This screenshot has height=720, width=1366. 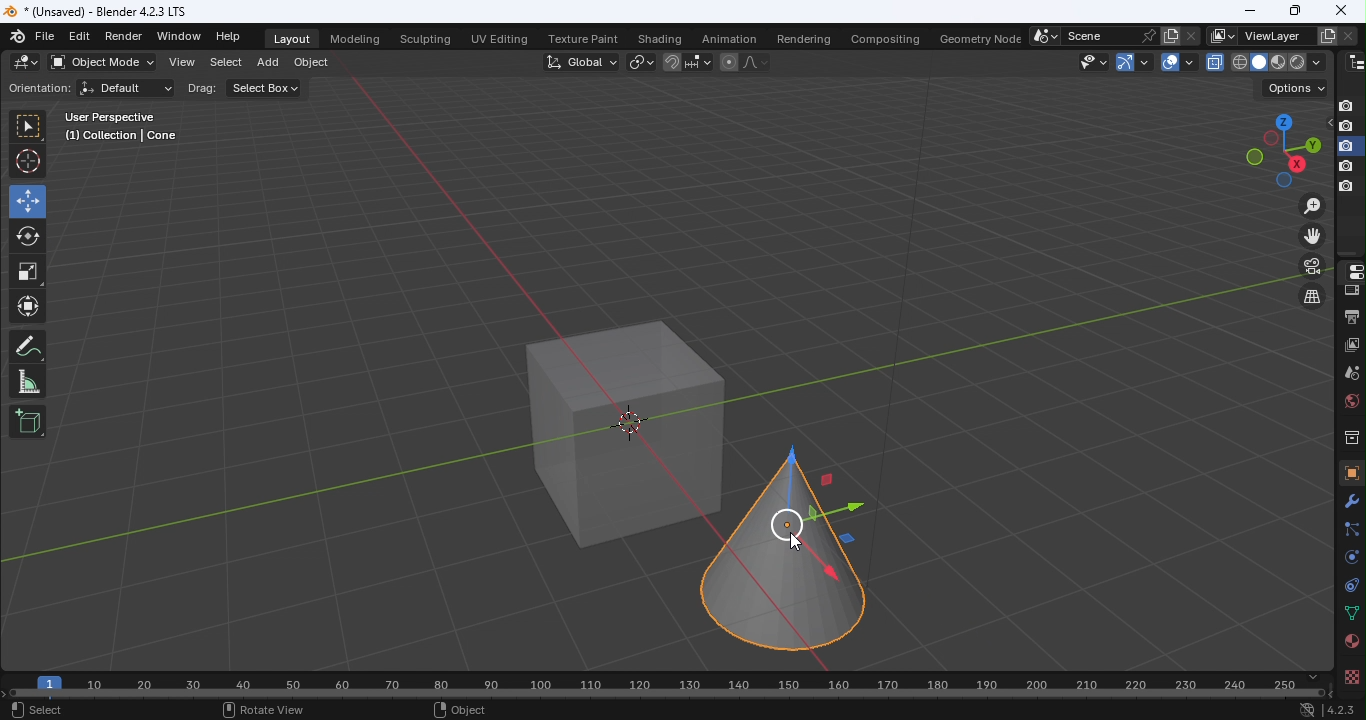 What do you see at coordinates (1350, 436) in the screenshot?
I see `Collection` at bounding box center [1350, 436].